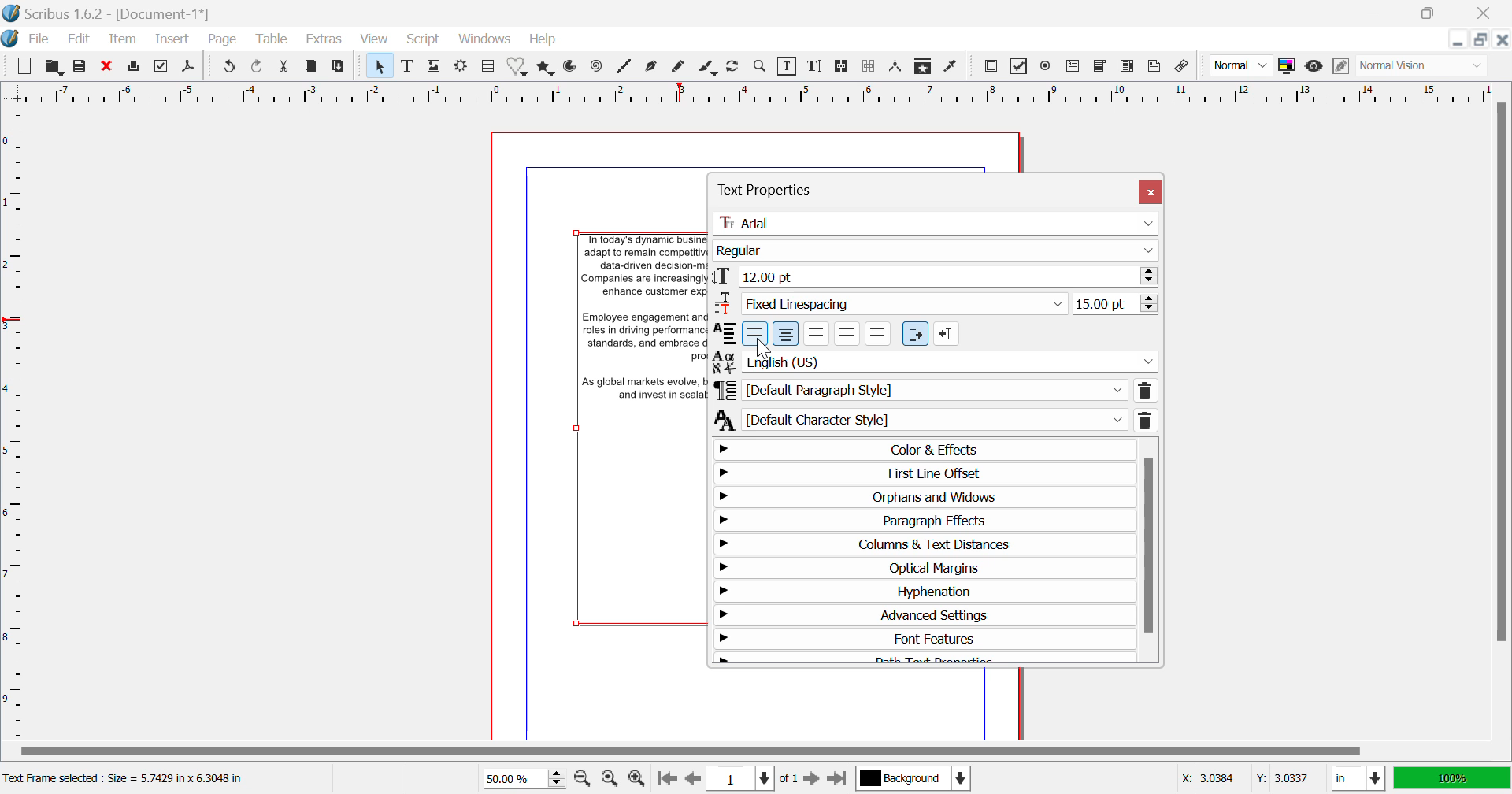 This screenshot has height=794, width=1512. I want to click on First Line Offset, so click(923, 474).